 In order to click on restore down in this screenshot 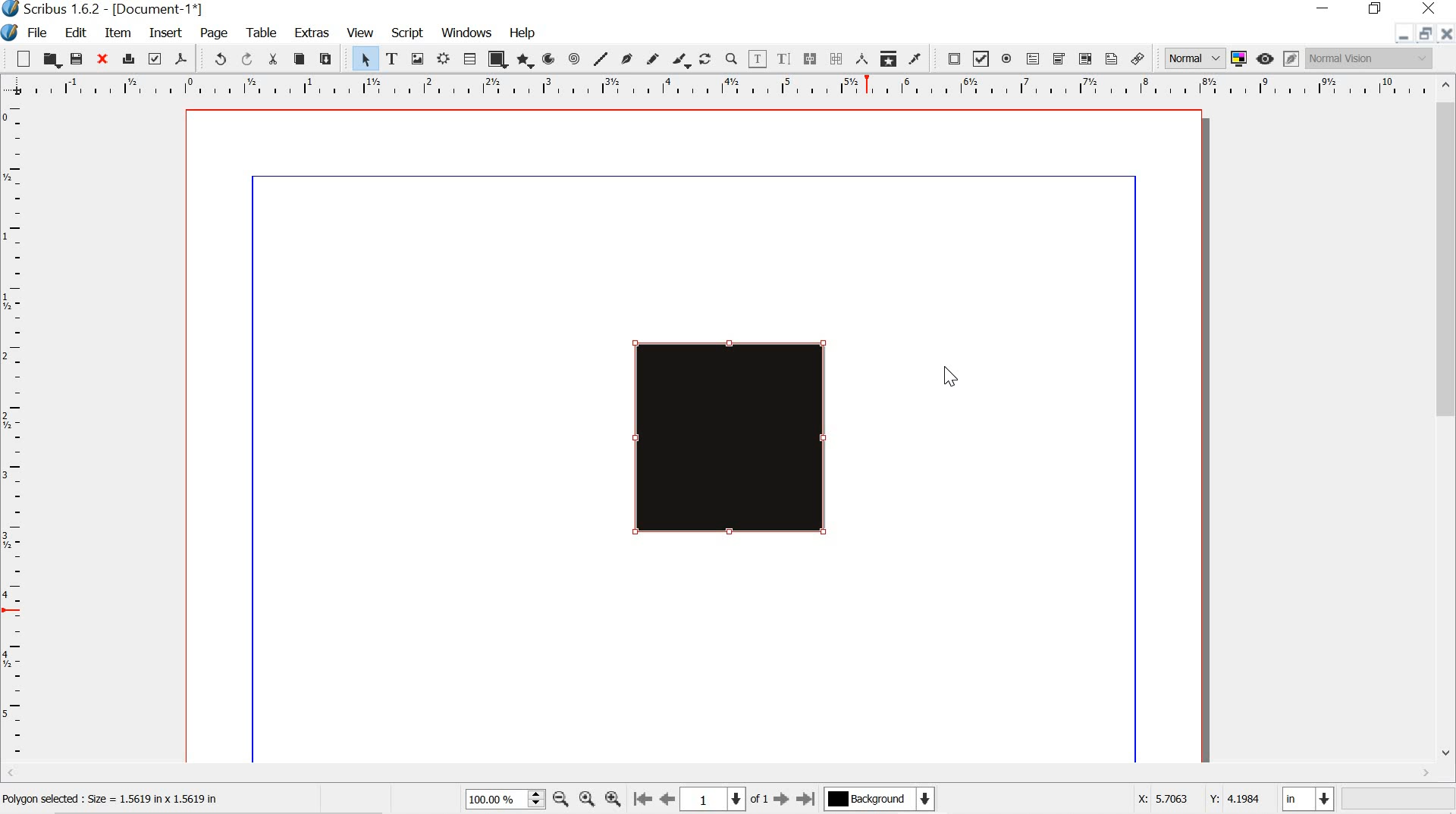, I will do `click(1376, 9)`.